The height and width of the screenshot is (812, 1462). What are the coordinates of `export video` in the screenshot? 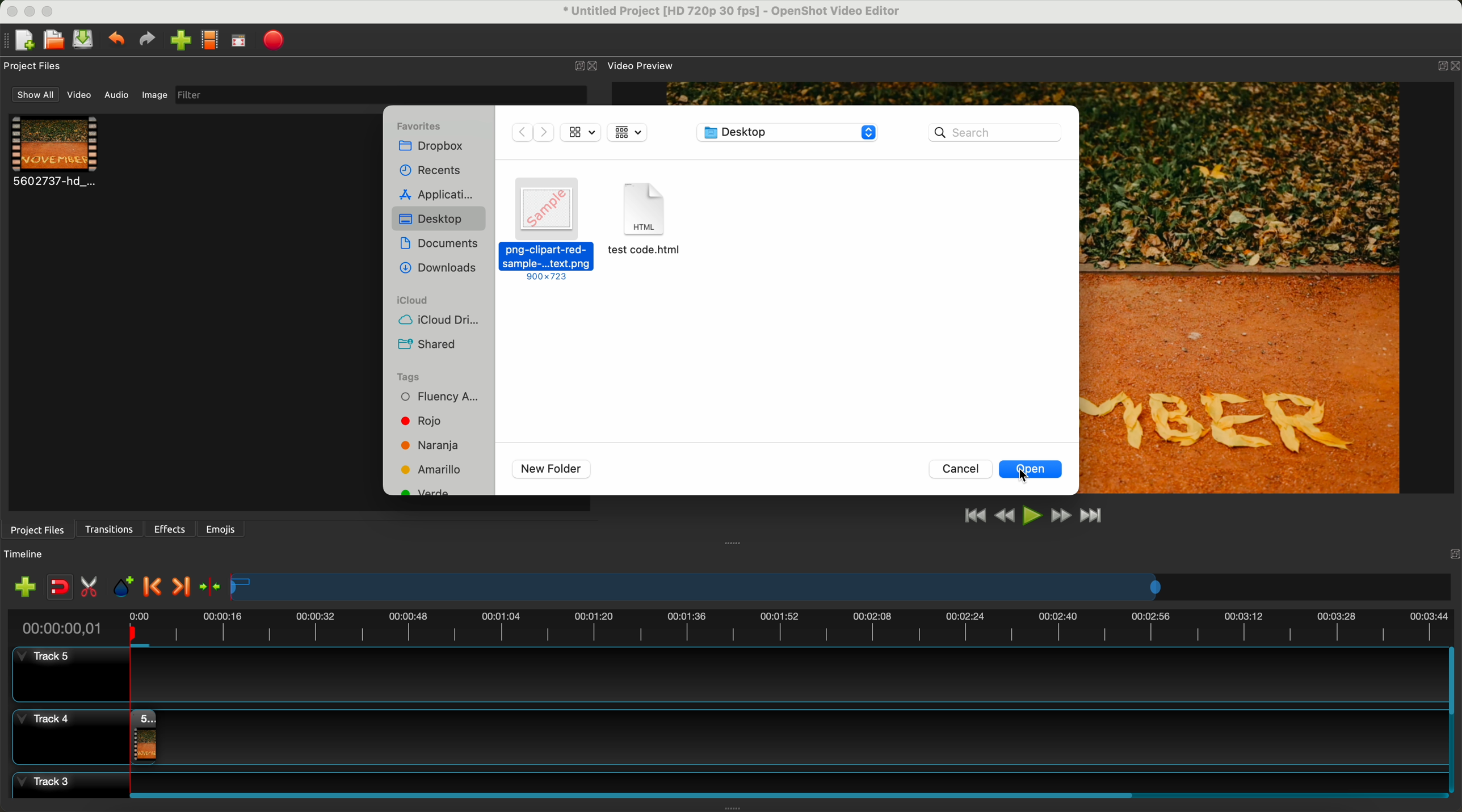 It's located at (278, 40).